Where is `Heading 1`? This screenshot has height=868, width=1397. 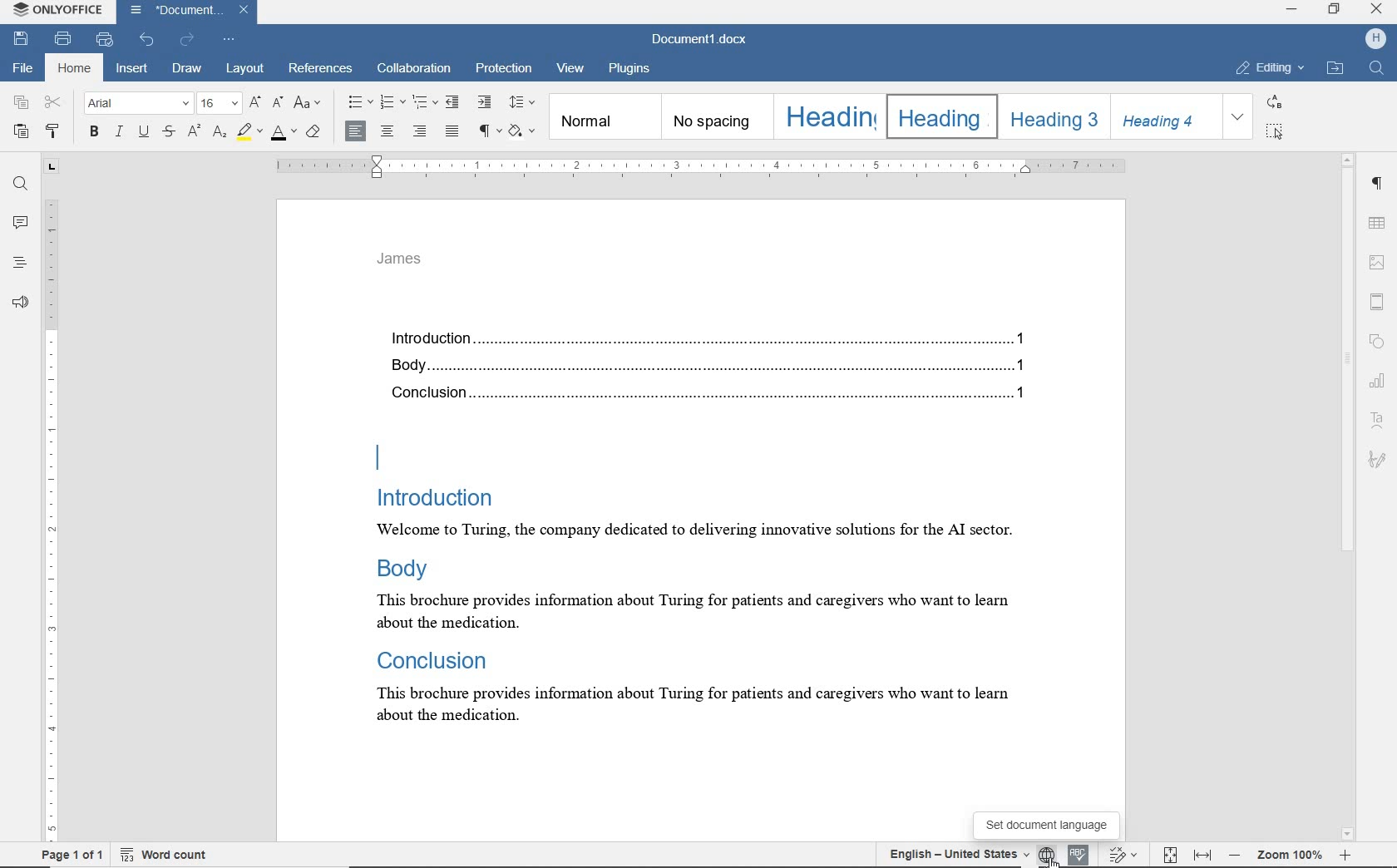 Heading 1 is located at coordinates (827, 116).